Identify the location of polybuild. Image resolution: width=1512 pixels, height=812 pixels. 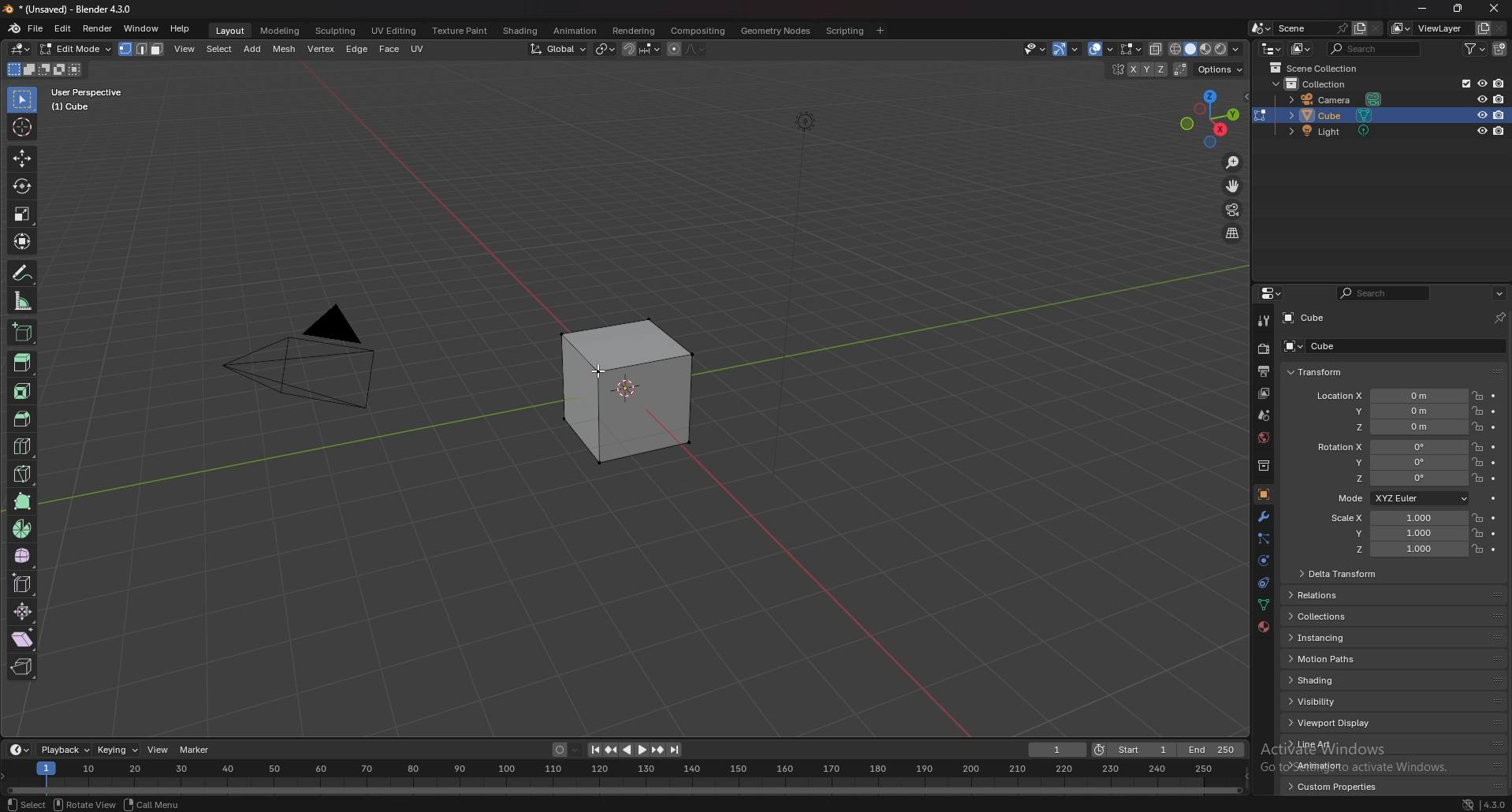
(22, 502).